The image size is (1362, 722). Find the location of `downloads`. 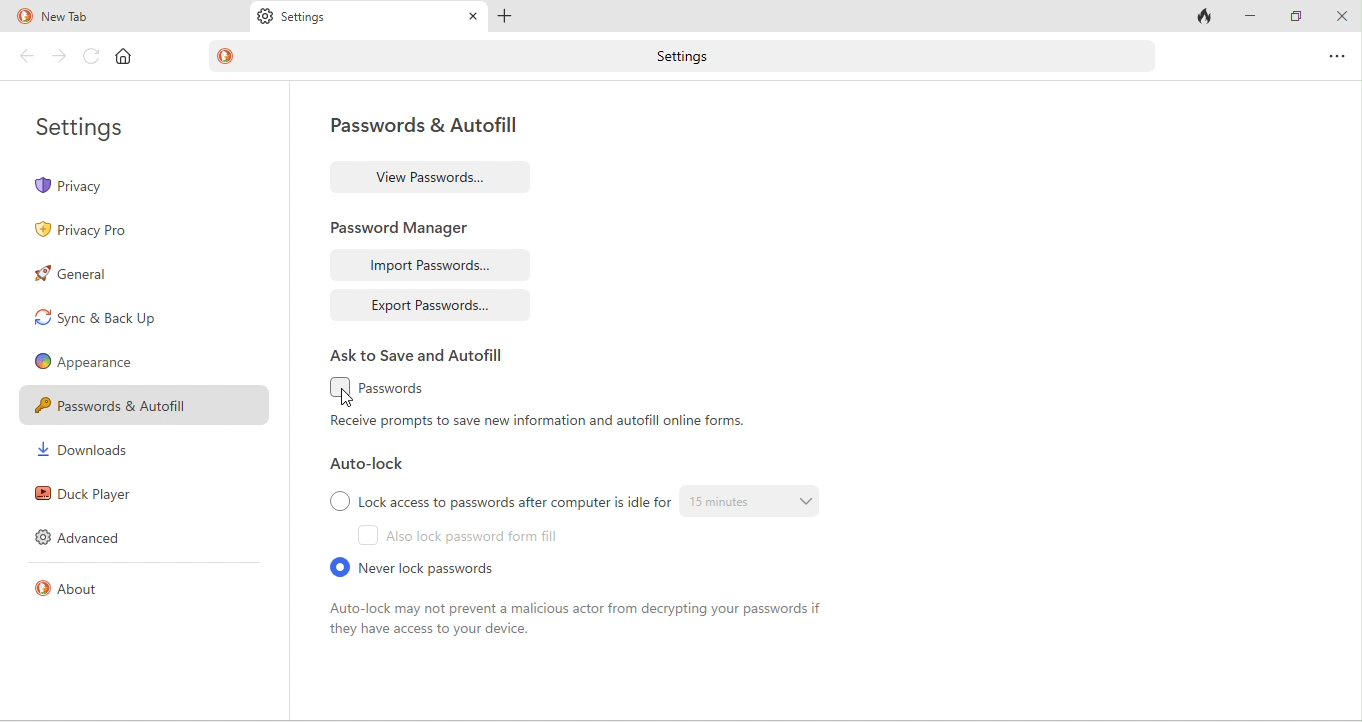

downloads is located at coordinates (88, 452).